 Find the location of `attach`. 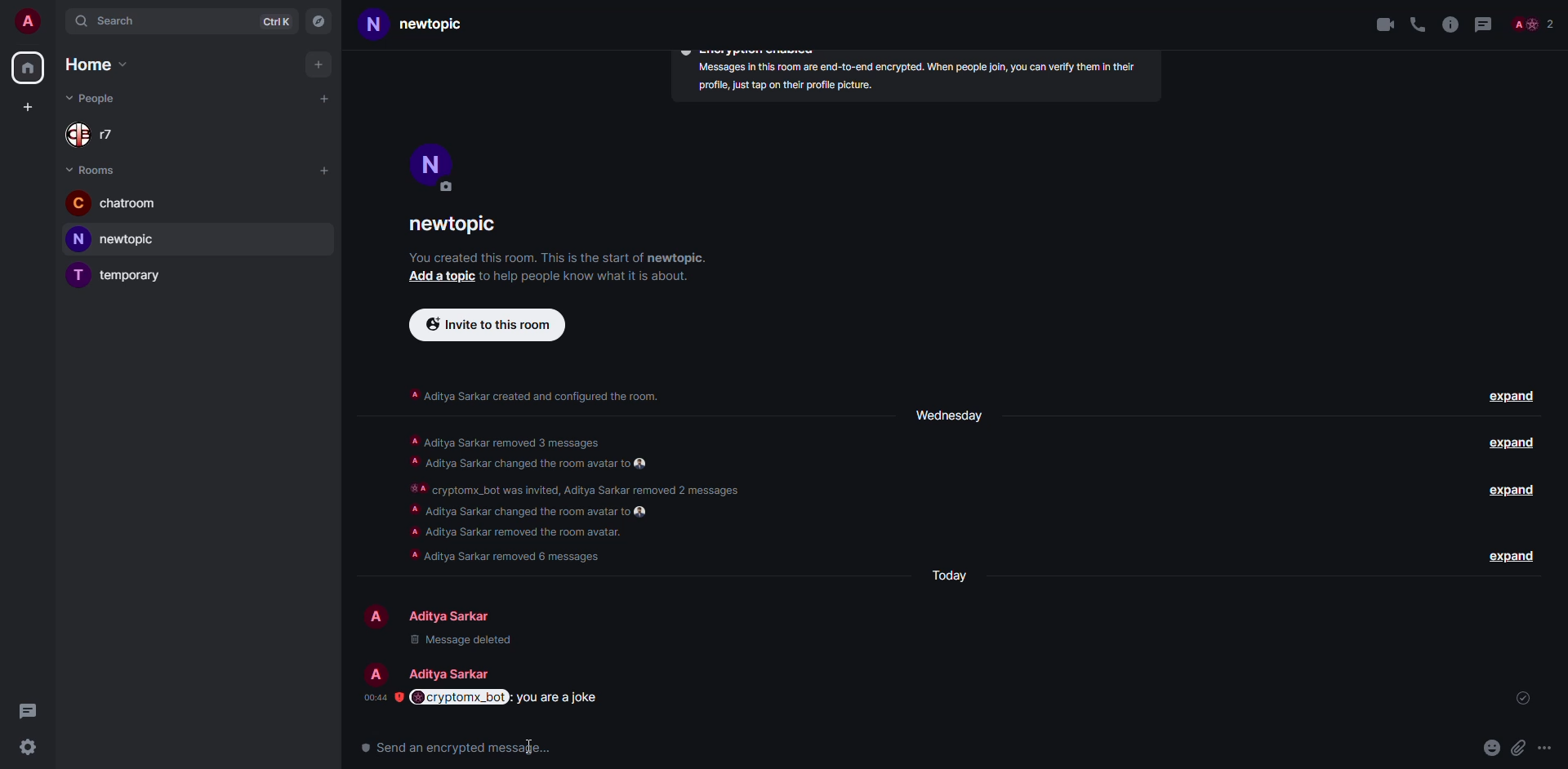

attach is located at coordinates (1490, 748).